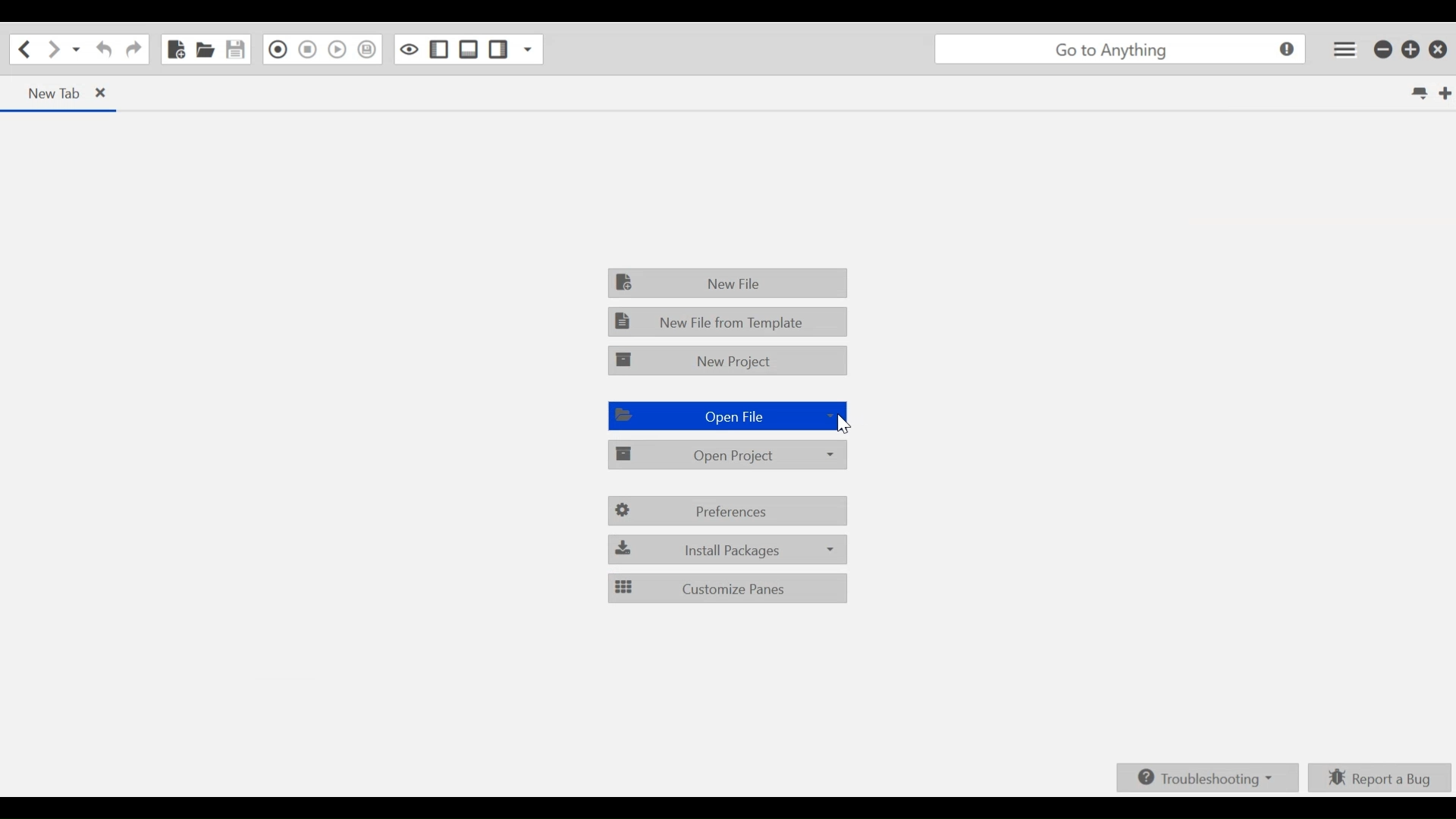 The width and height of the screenshot is (1456, 819). What do you see at coordinates (133, 49) in the screenshot?
I see `Undo the last action` at bounding box center [133, 49].